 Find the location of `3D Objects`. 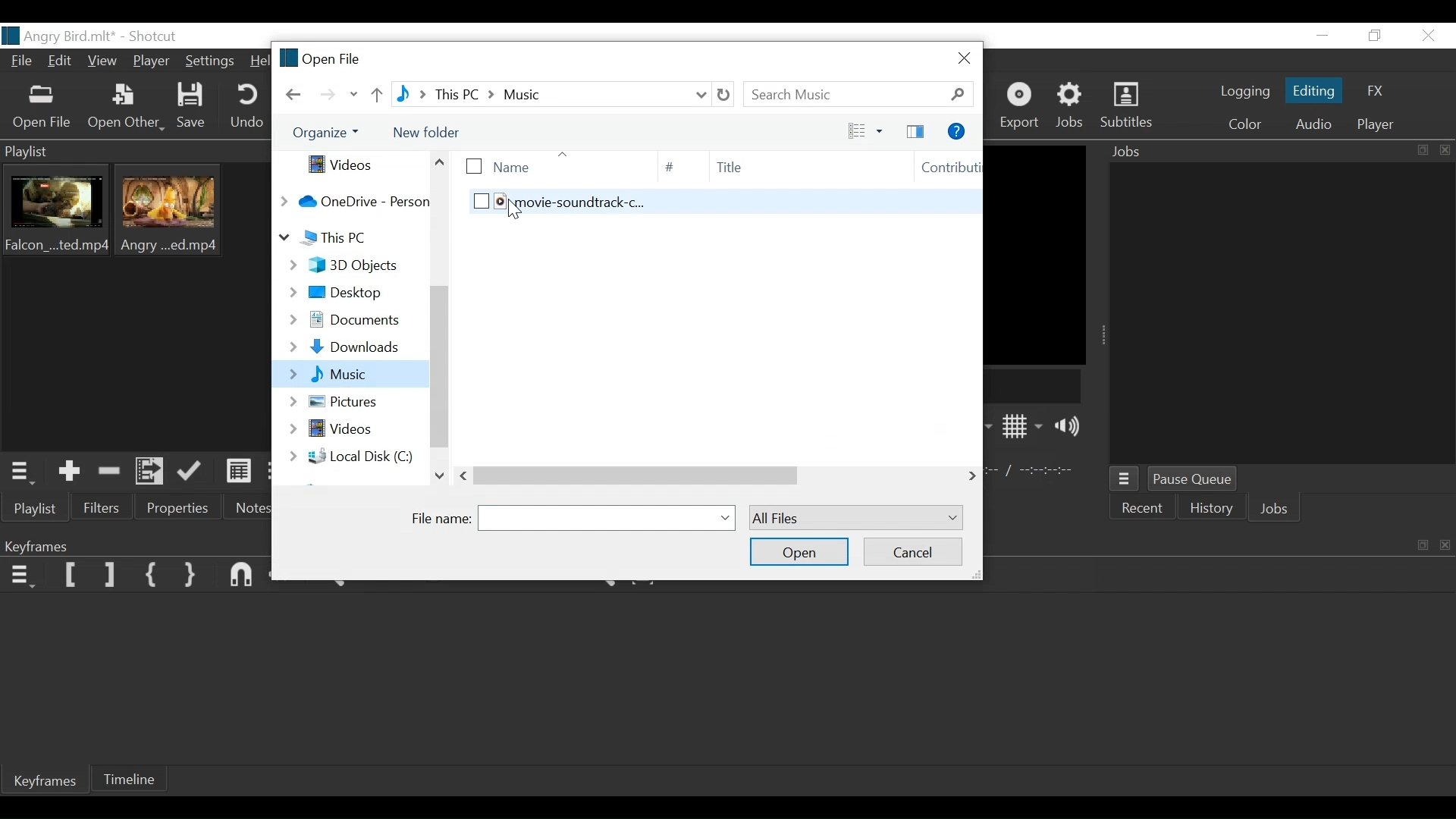

3D Objects is located at coordinates (344, 265).